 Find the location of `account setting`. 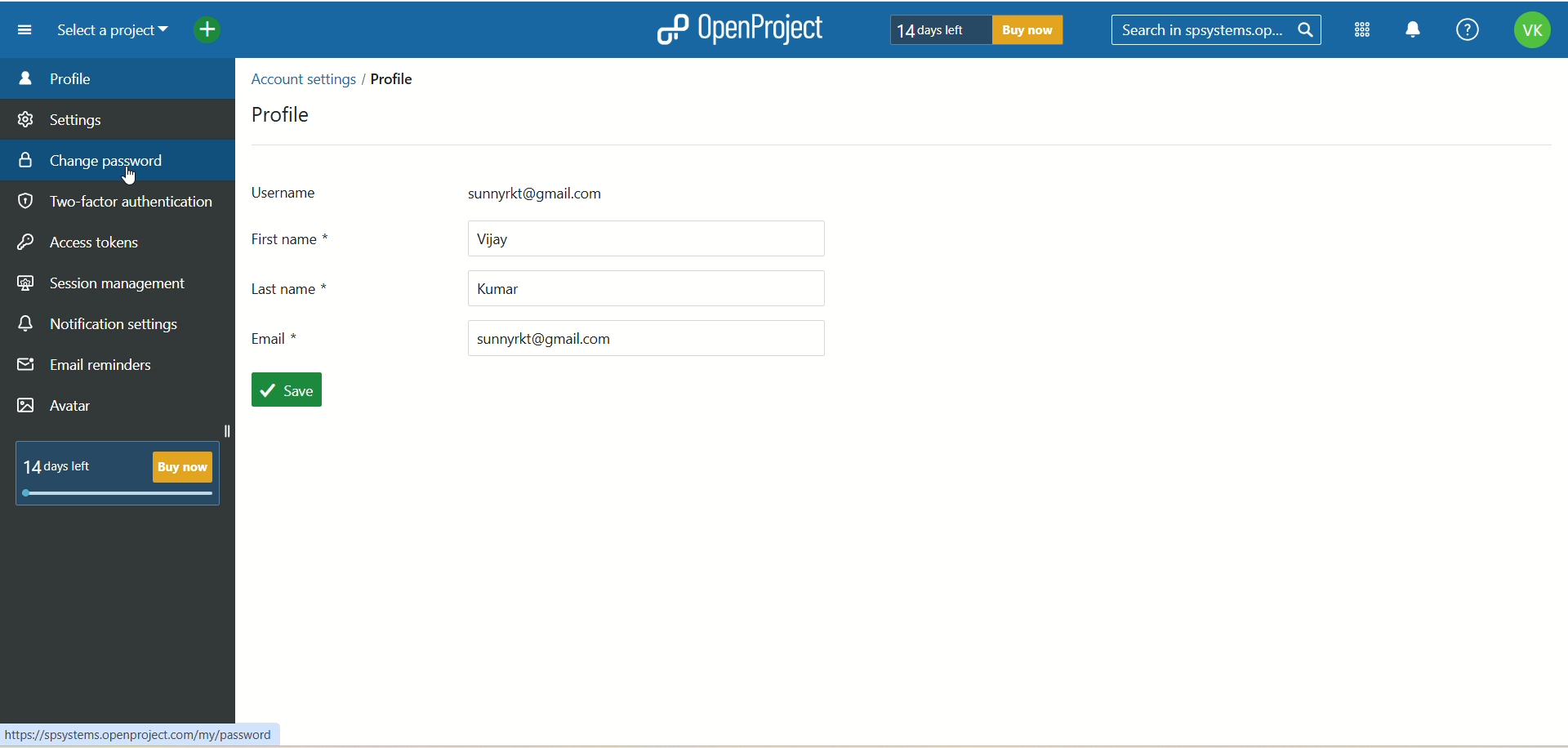

account setting is located at coordinates (305, 81).